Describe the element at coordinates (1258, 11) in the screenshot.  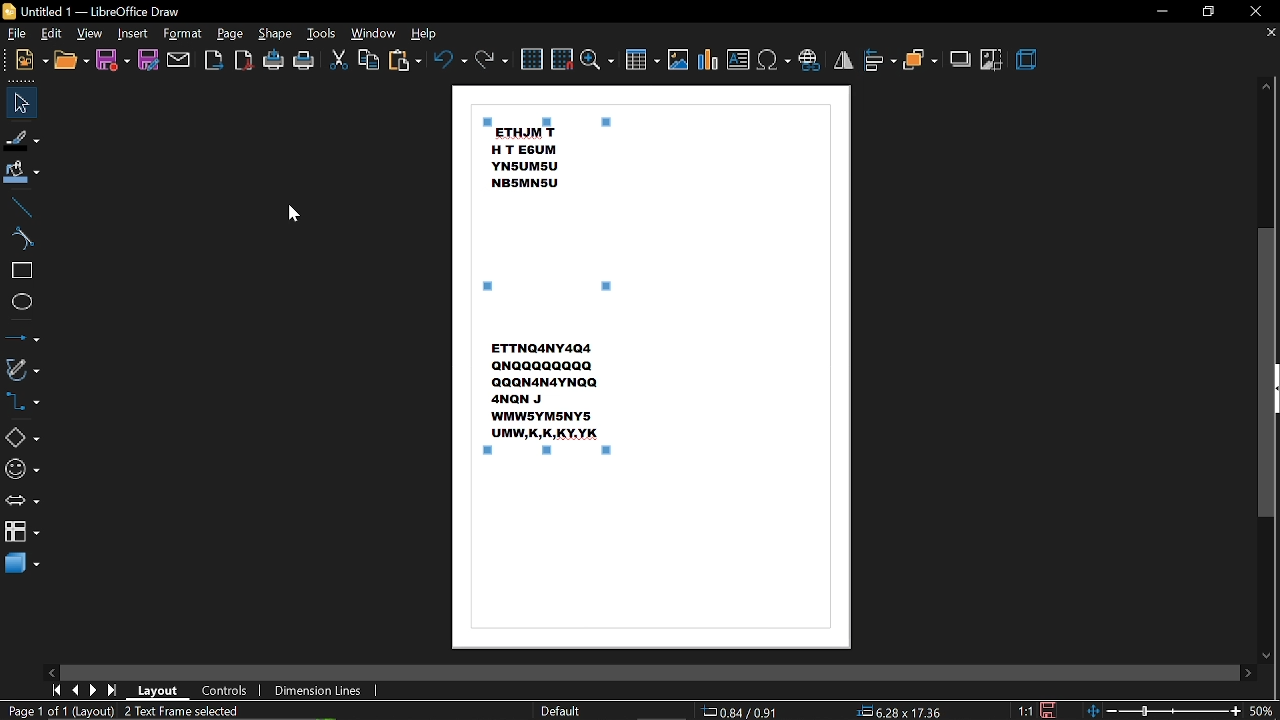
I see `close` at that location.